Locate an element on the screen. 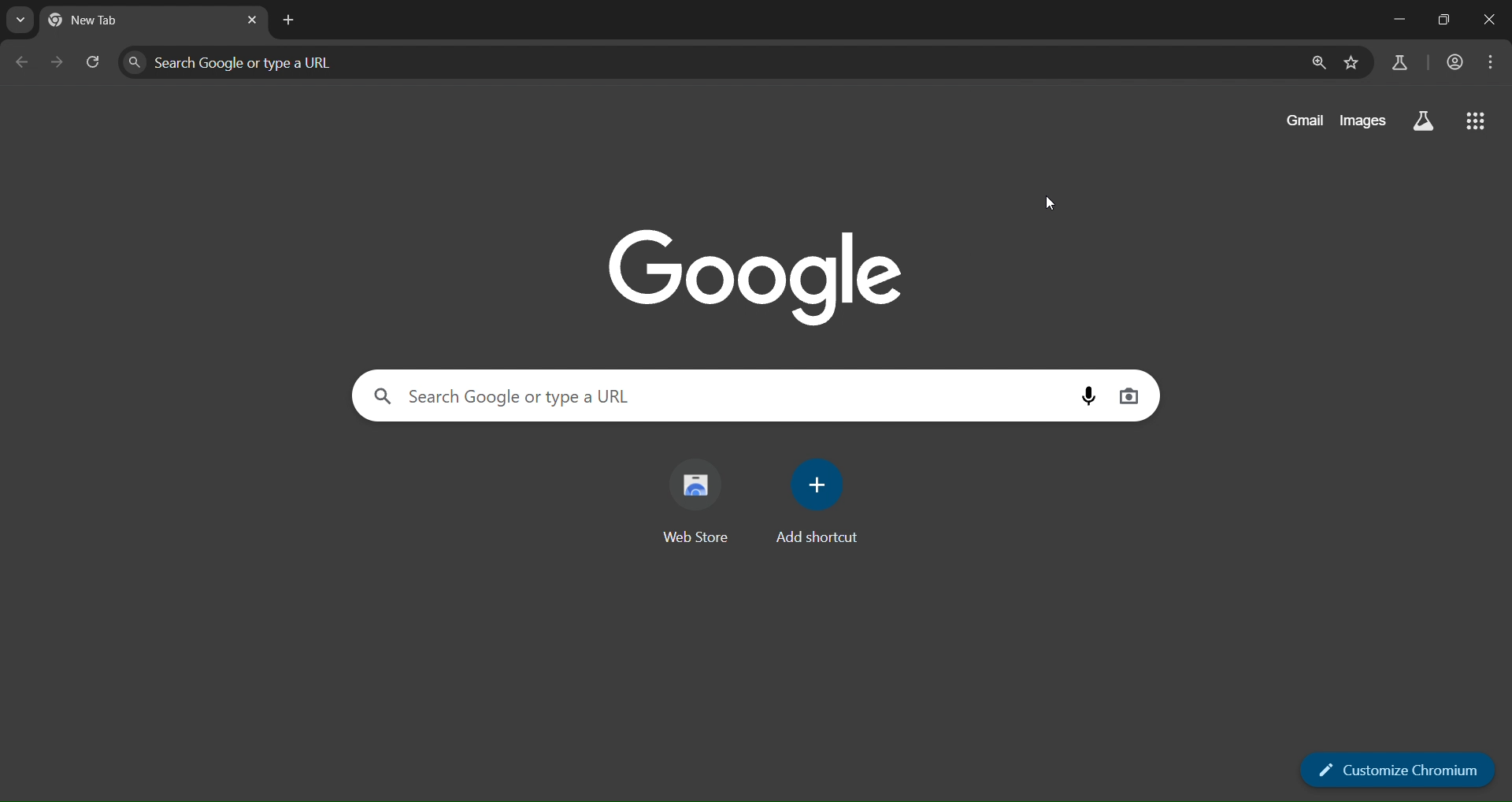 This screenshot has height=802, width=1512. voice search is located at coordinates (1086, 394).